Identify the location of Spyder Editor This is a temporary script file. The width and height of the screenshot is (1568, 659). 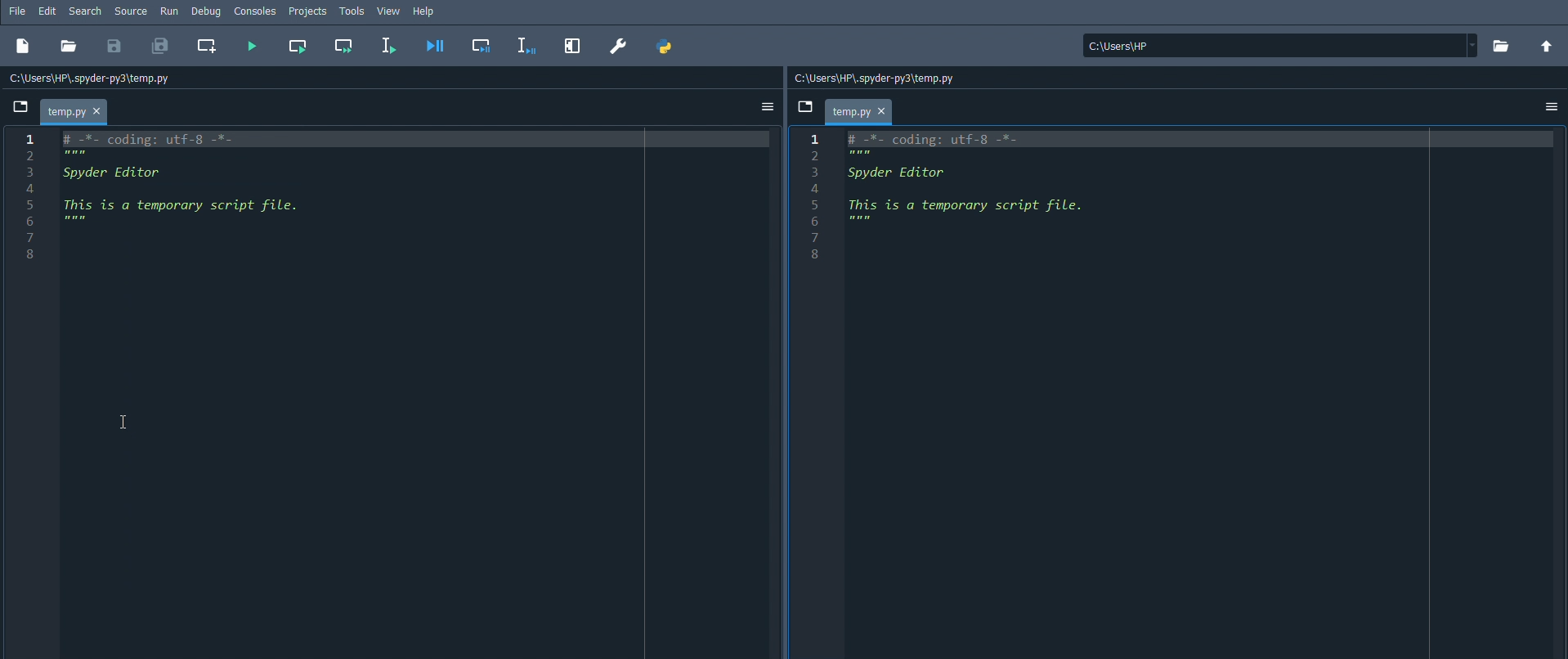
(191, 186).